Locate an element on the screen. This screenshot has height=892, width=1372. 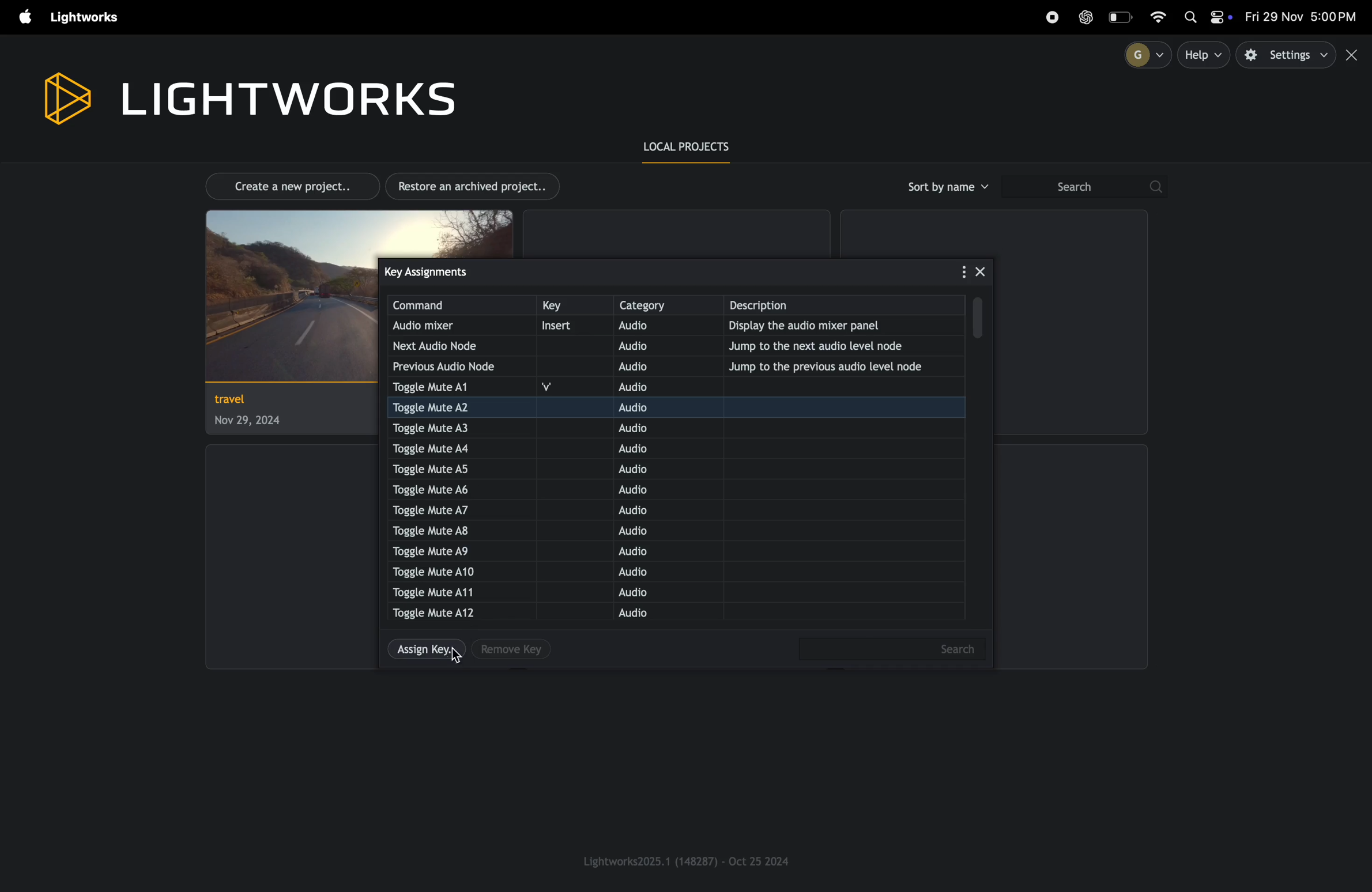
toggle mute A4 is located at coordinates (458, 447).